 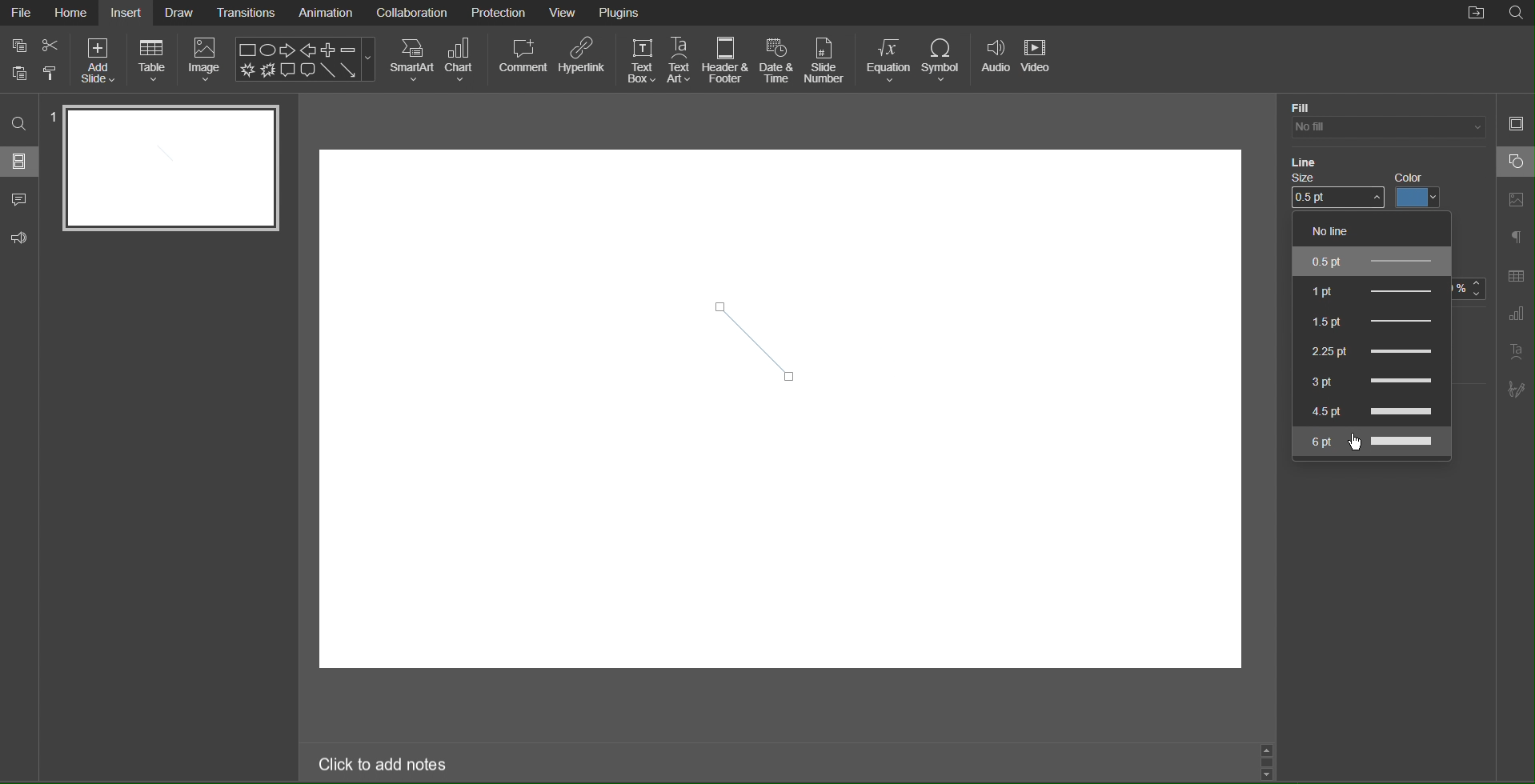 I want to click on Slide Number , so click(x=826, y=59).